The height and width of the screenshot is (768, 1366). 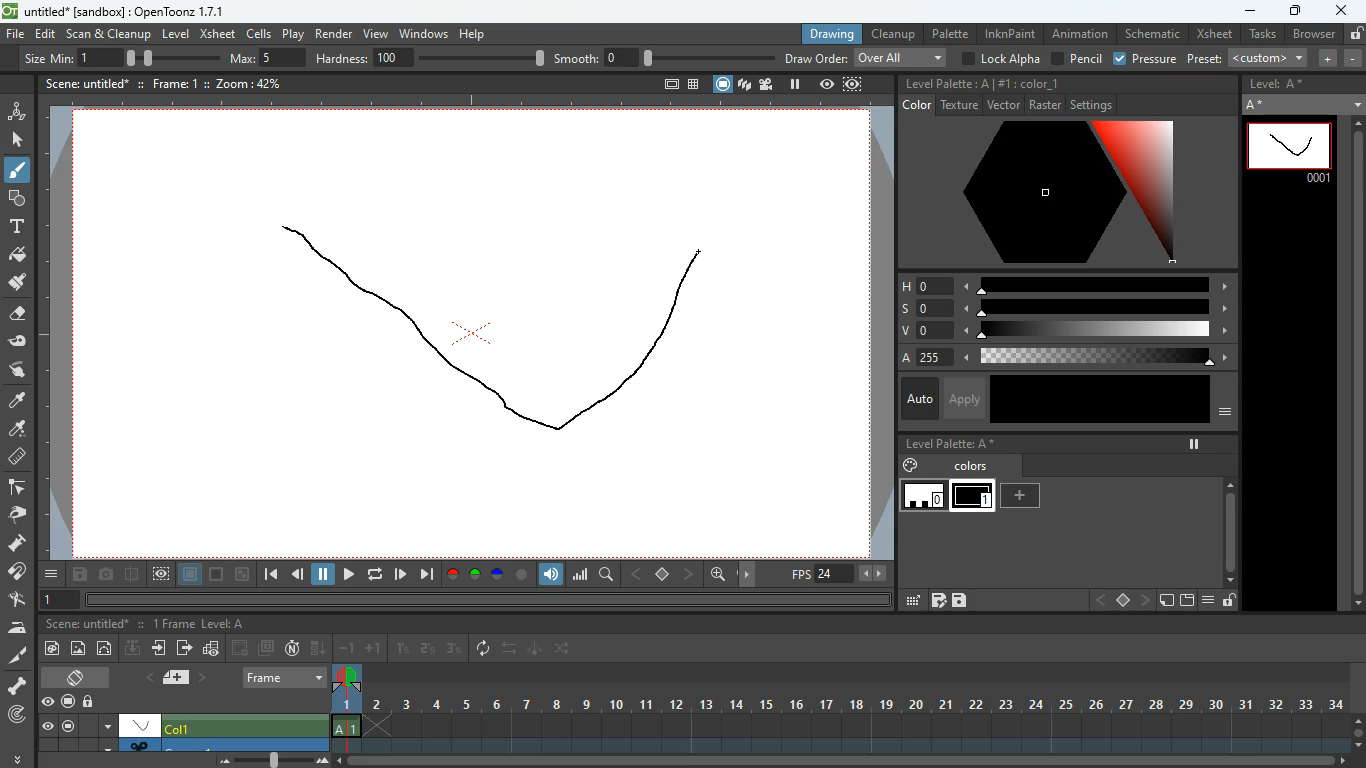 I want to click on view, so click(x=827, y=84).